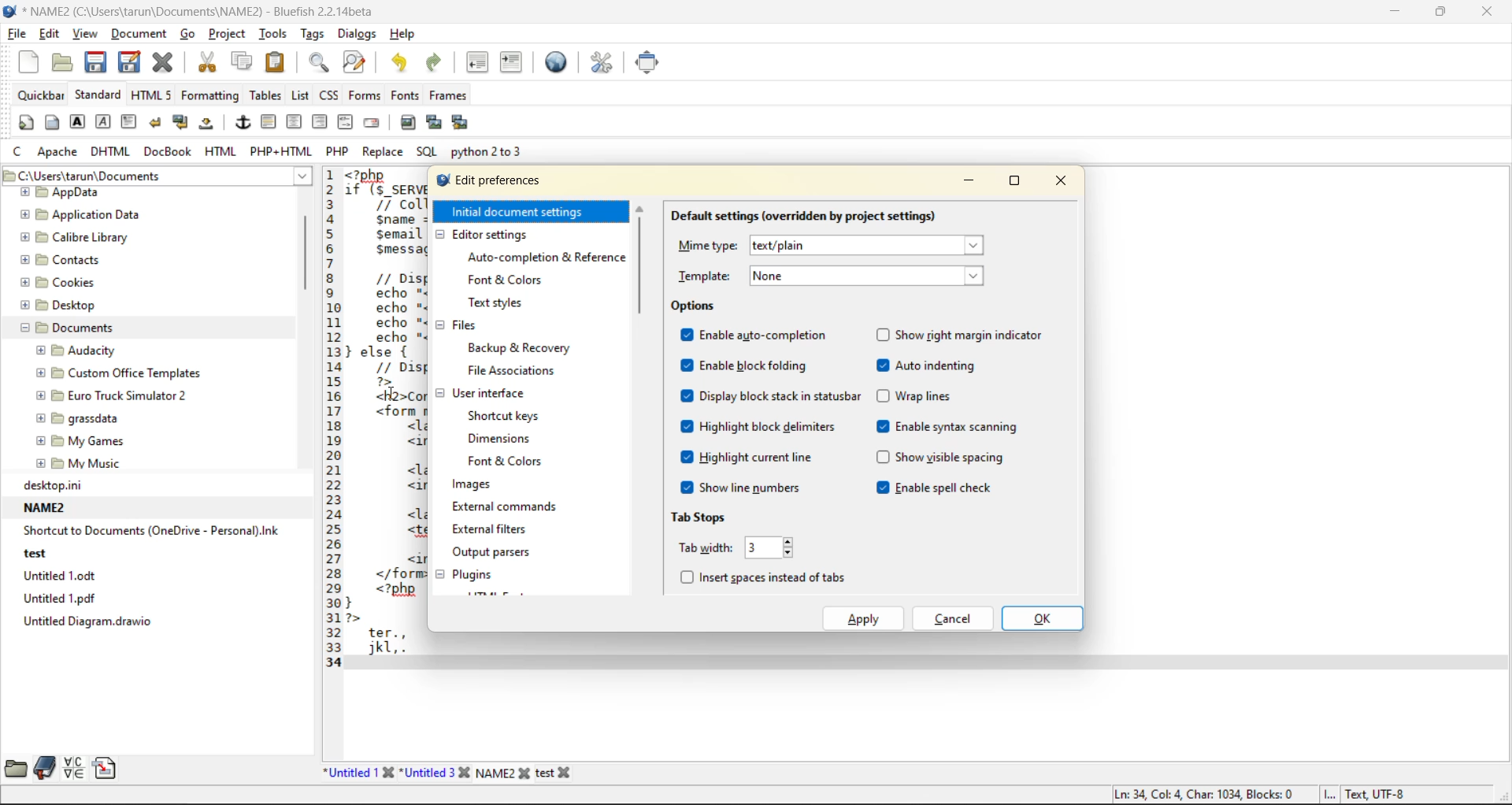  Describe the element at coordinates (933, 364) in the screenshot. I see `auto indenting` at that location.